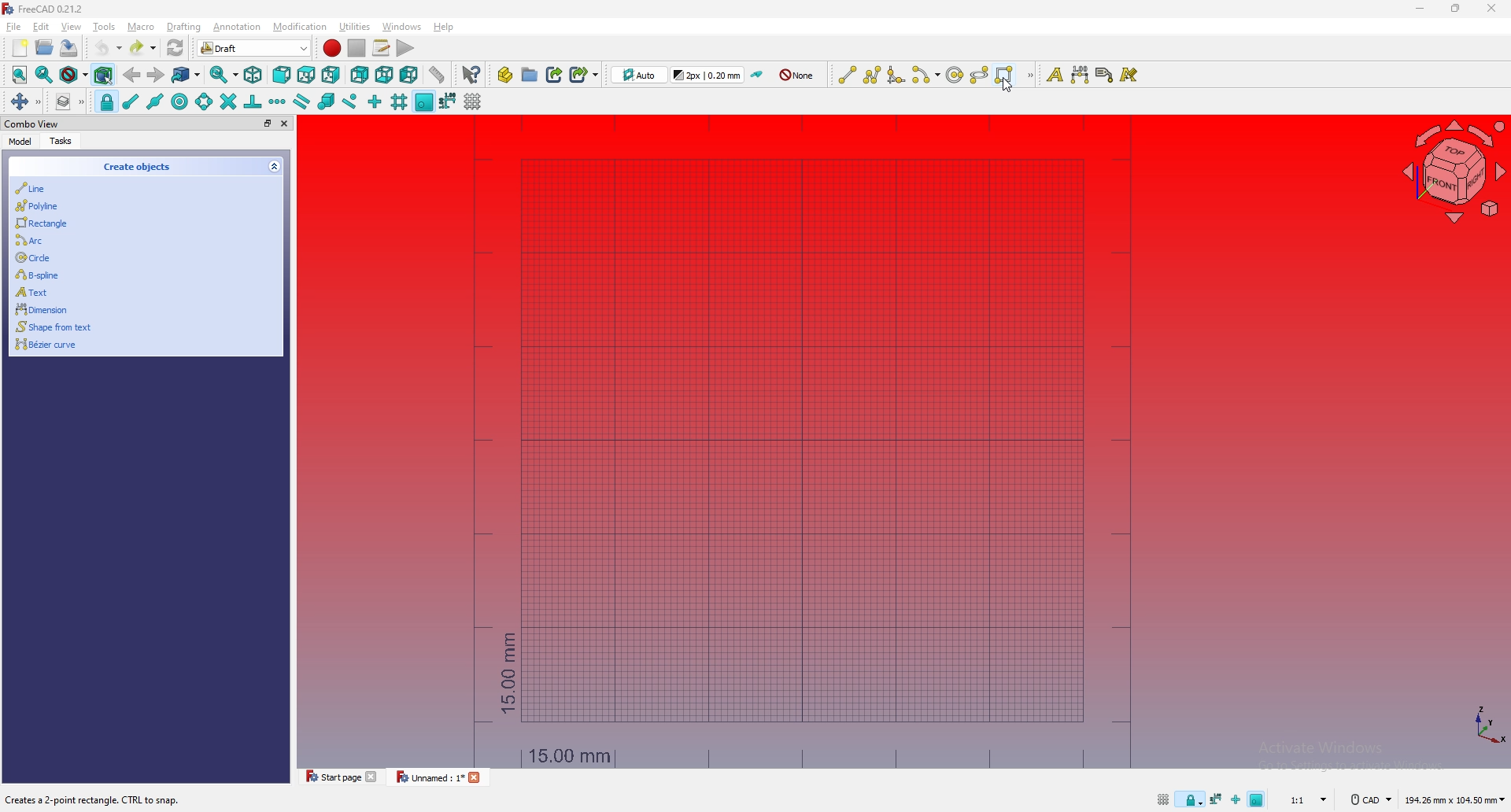  I want to click on open, so click(45, 47).